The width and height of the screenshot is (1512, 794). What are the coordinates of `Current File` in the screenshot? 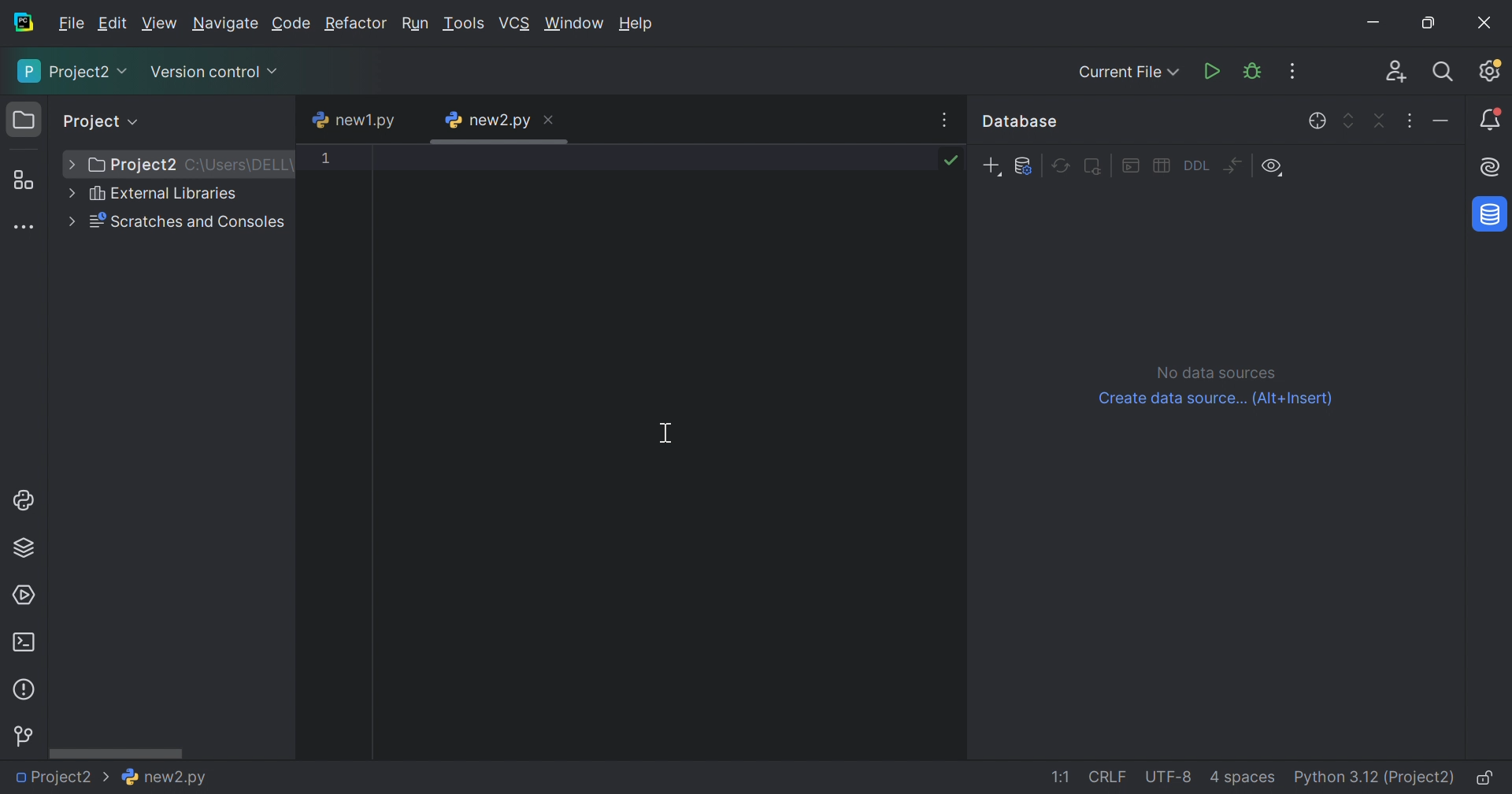 It's located at (1128, 73).